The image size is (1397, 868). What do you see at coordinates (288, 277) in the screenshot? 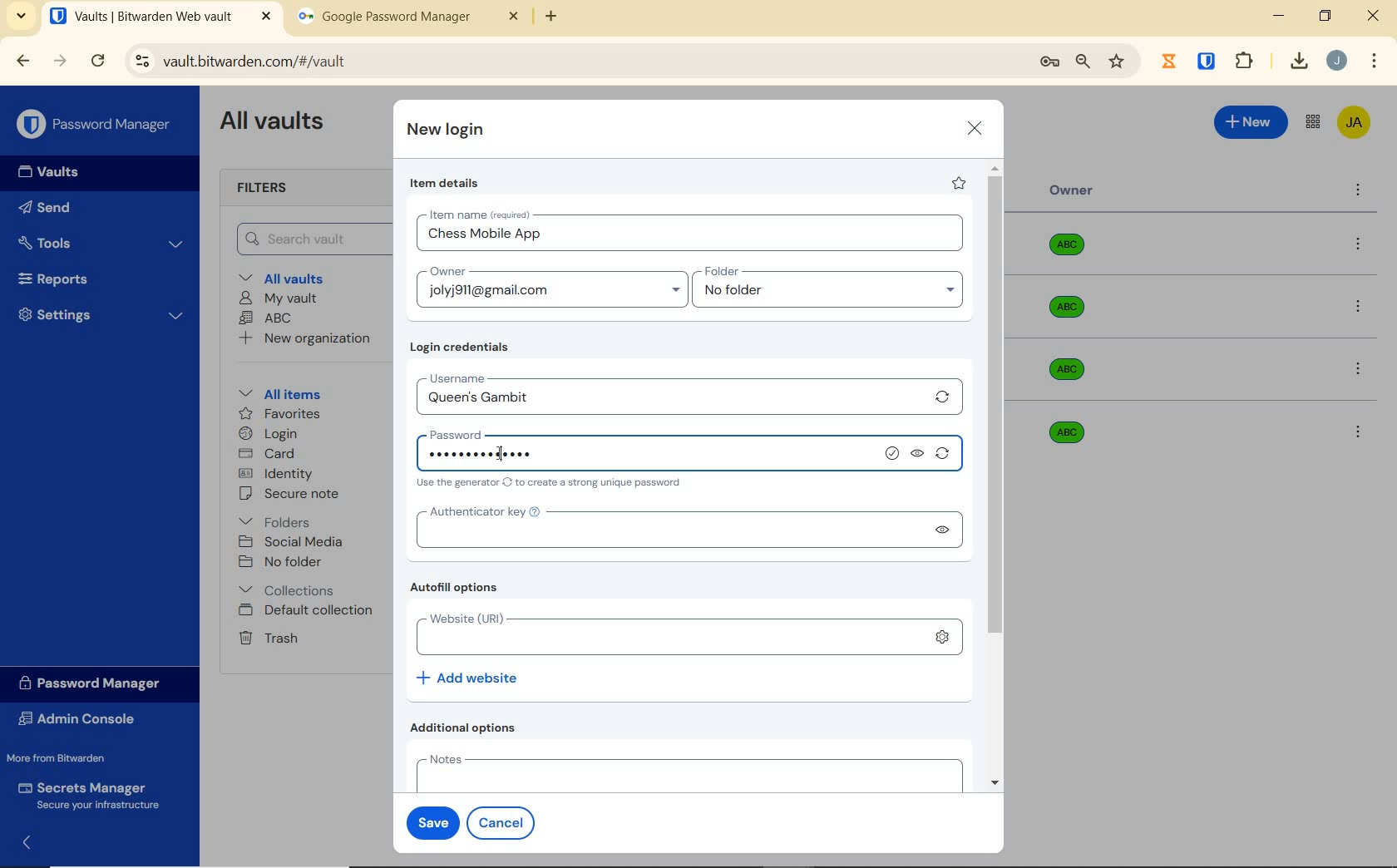
I see `All vaults` at bounding box center [288, 277].